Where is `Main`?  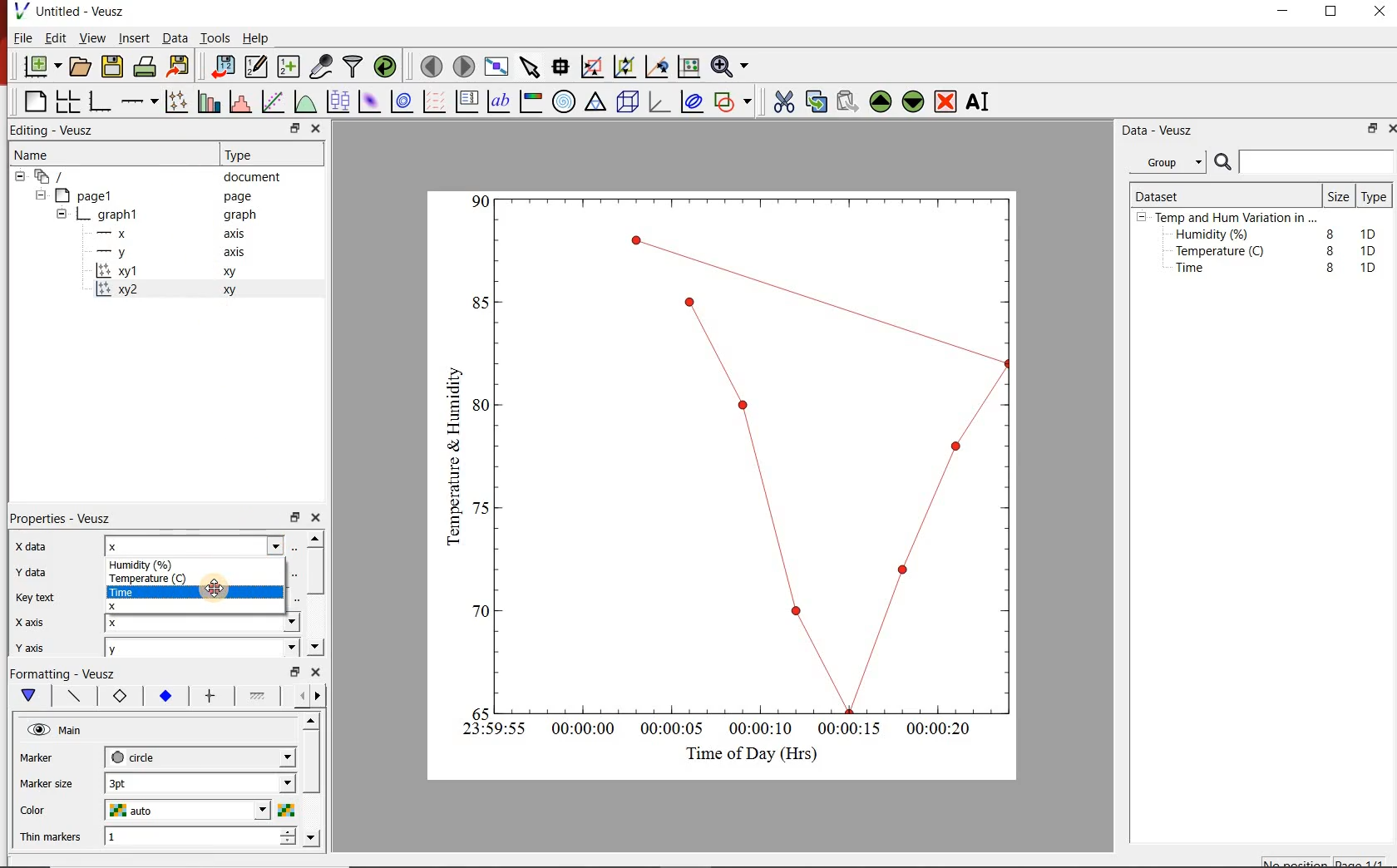
Main is located at coordinates (82, 732).